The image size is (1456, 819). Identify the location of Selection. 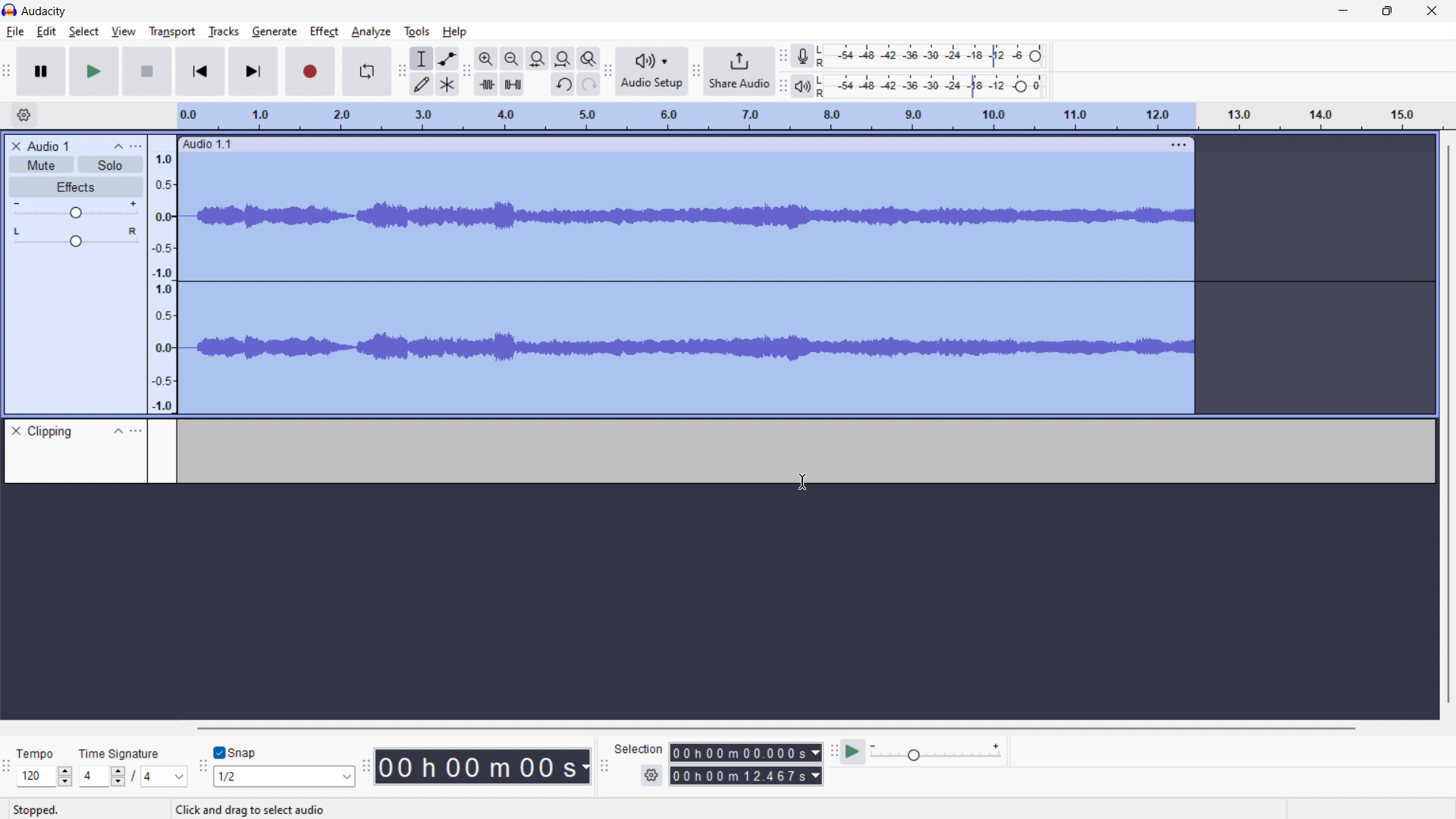
(644, 748).